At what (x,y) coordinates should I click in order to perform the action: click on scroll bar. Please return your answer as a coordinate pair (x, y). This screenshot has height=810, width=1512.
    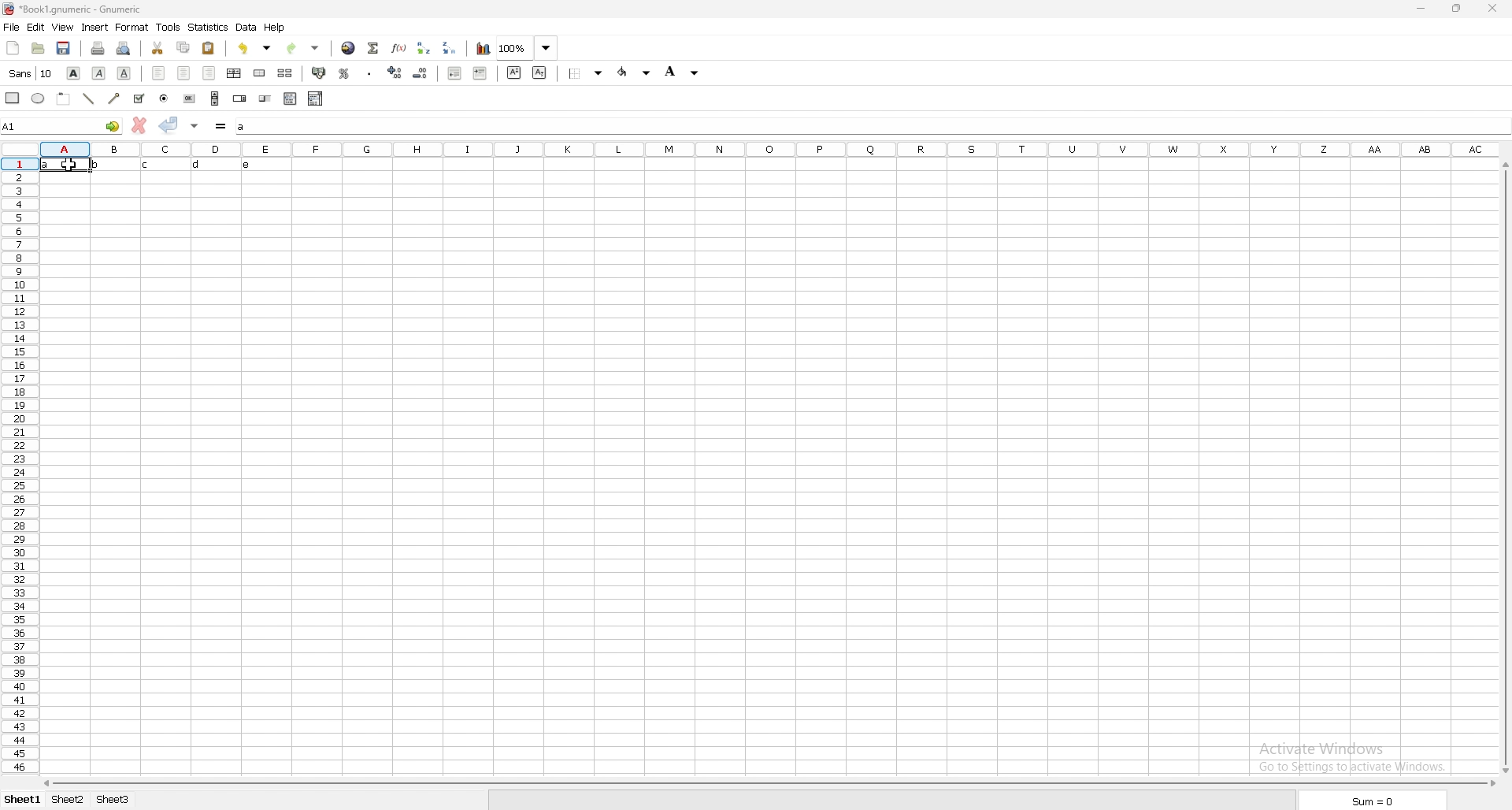
    Looking at the image, I should click on (215, 98).